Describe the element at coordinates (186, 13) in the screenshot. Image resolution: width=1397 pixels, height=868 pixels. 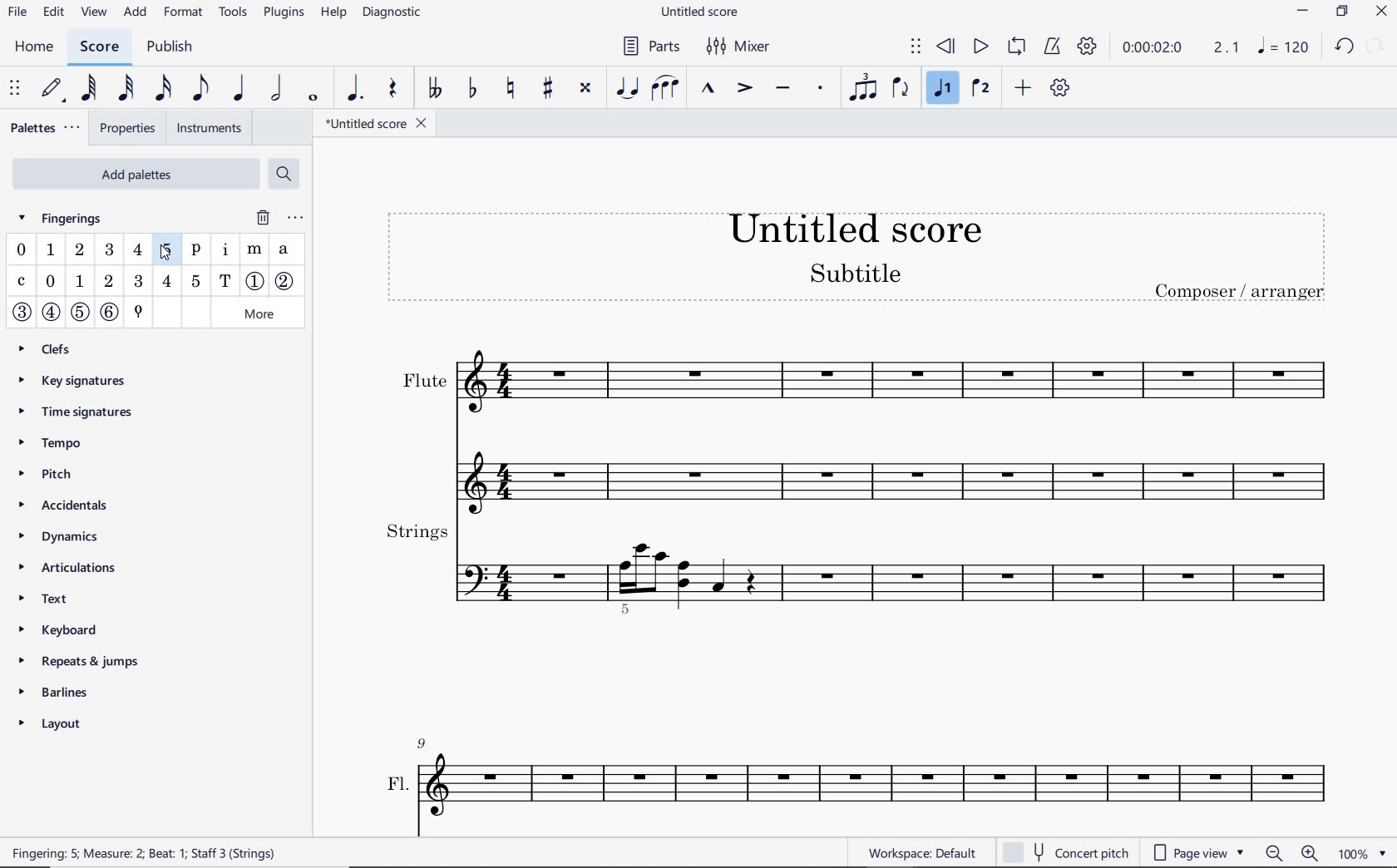
I see `format` at that location.